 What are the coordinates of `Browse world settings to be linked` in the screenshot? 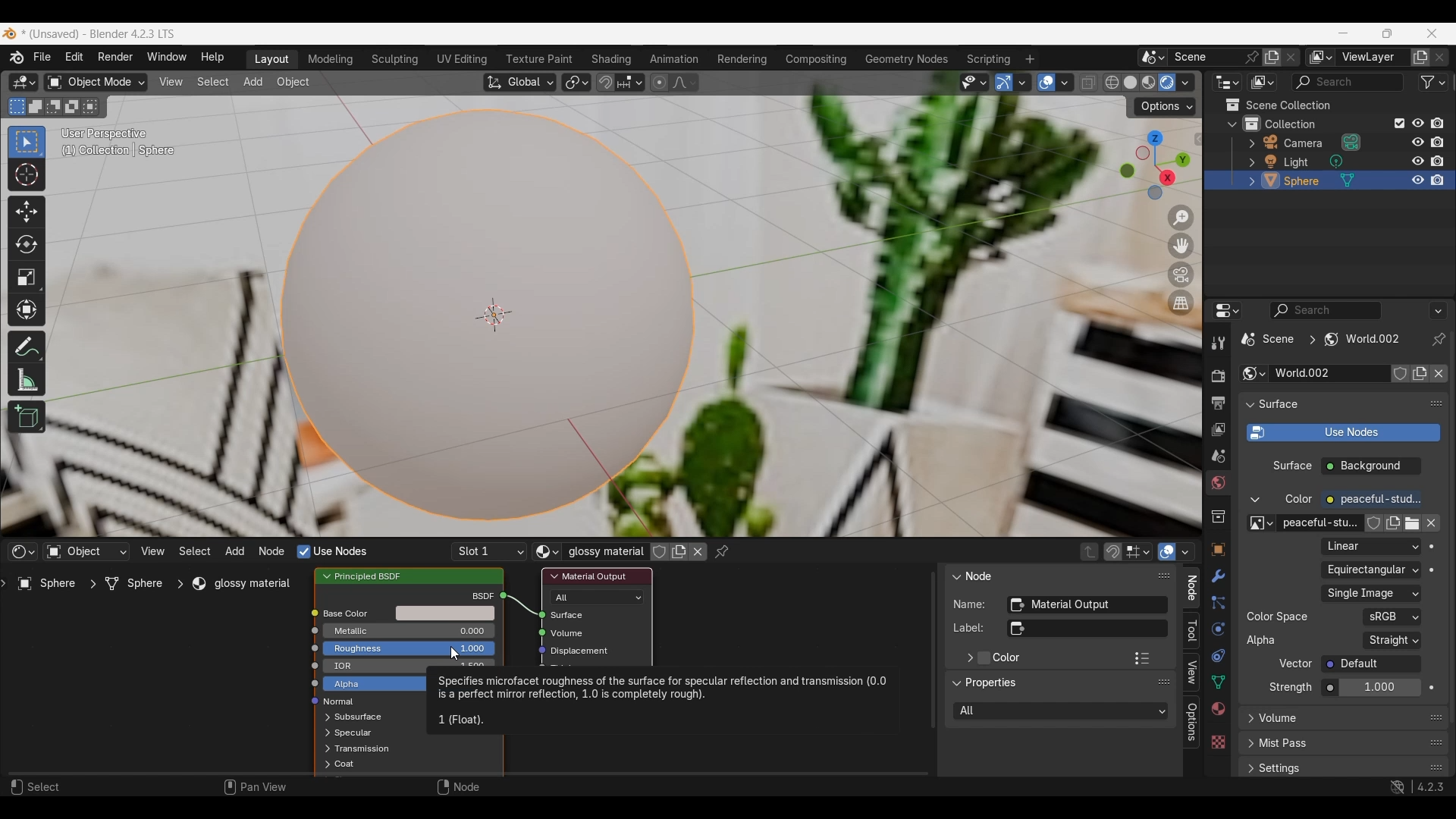 It's located at (1254, 373).